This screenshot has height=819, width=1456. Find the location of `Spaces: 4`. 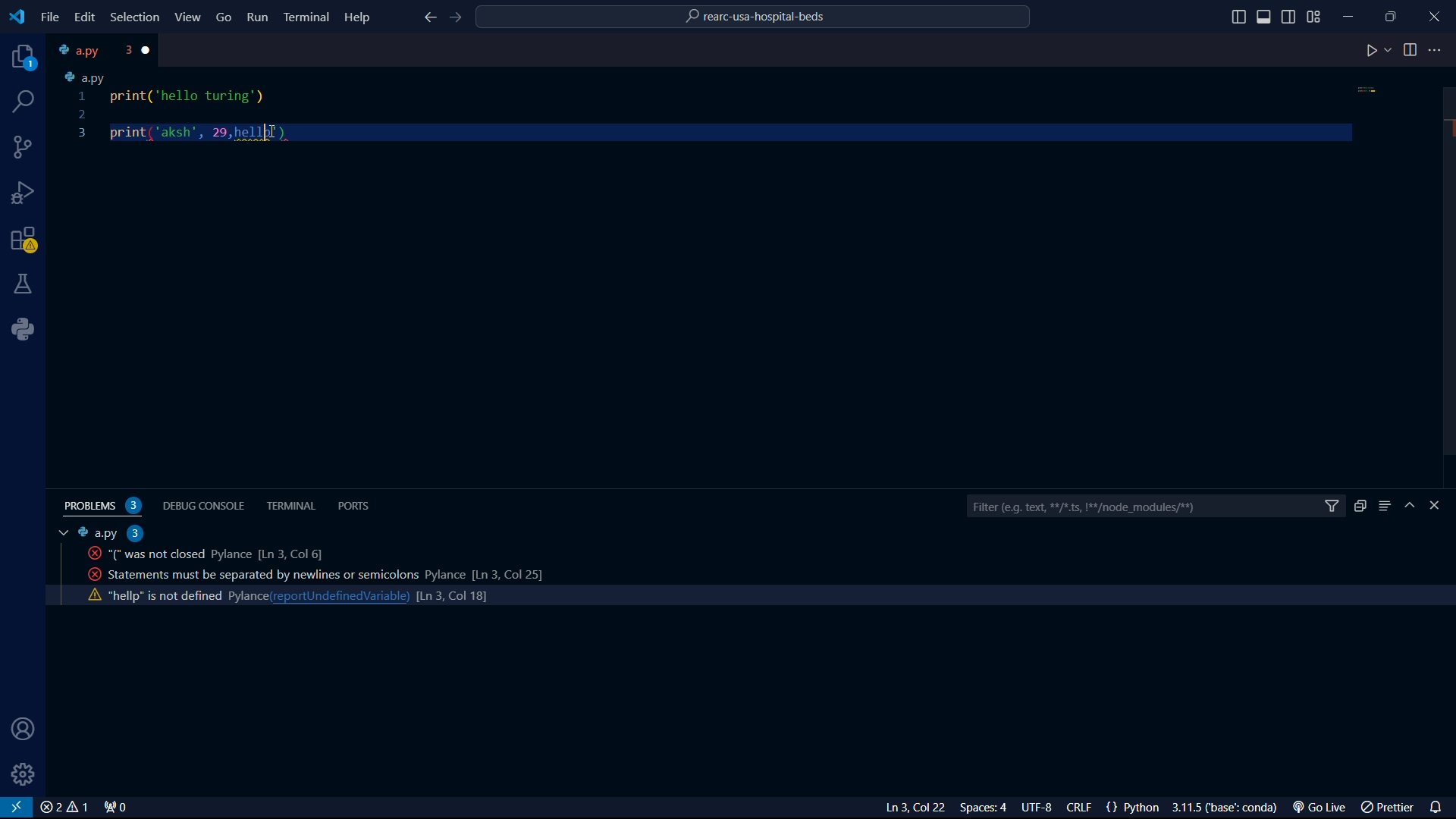

Spaces: 4 is located at coordinates (987, 808).